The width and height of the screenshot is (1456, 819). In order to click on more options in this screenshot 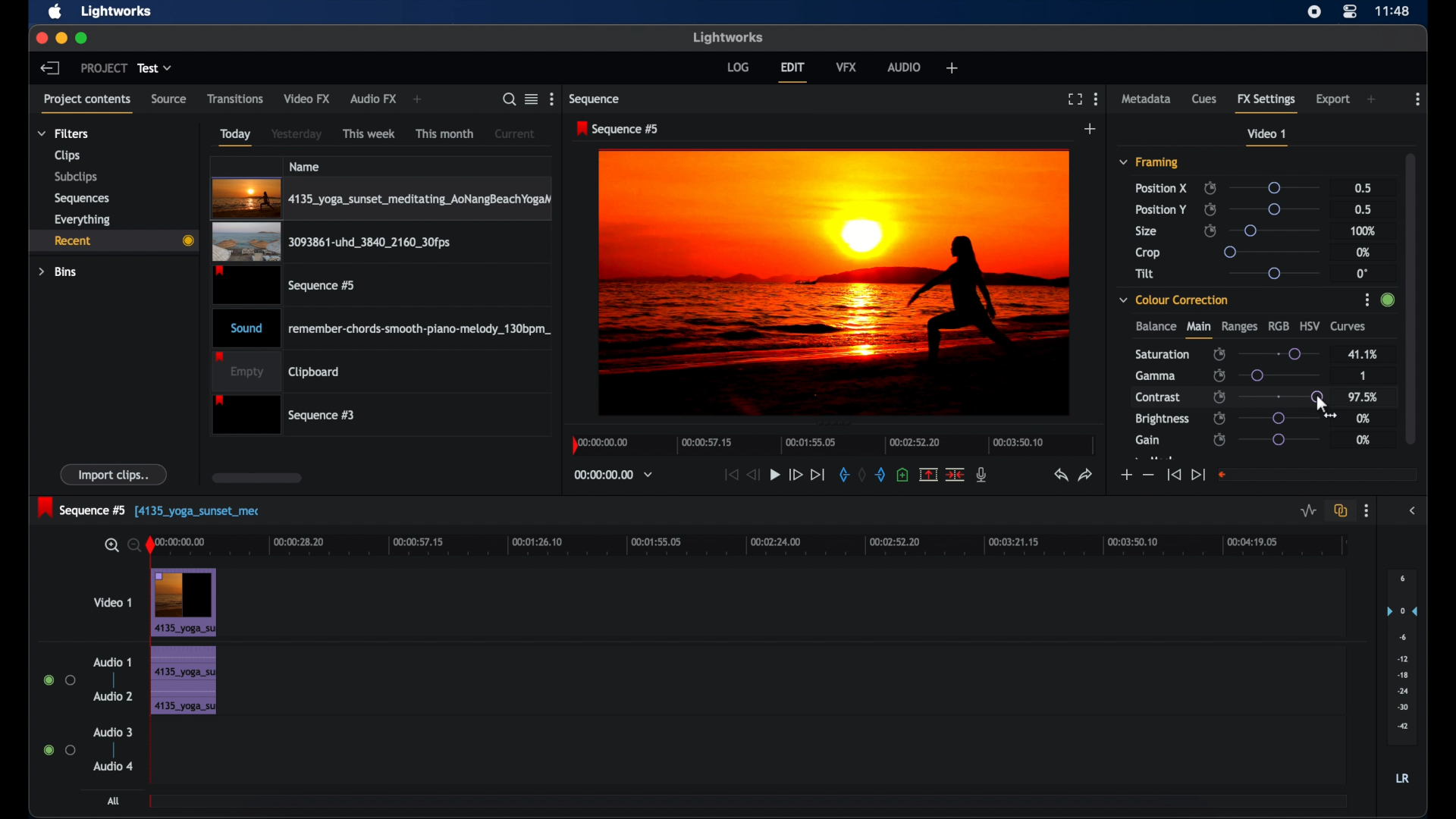, I will do `click(551, 99)`.